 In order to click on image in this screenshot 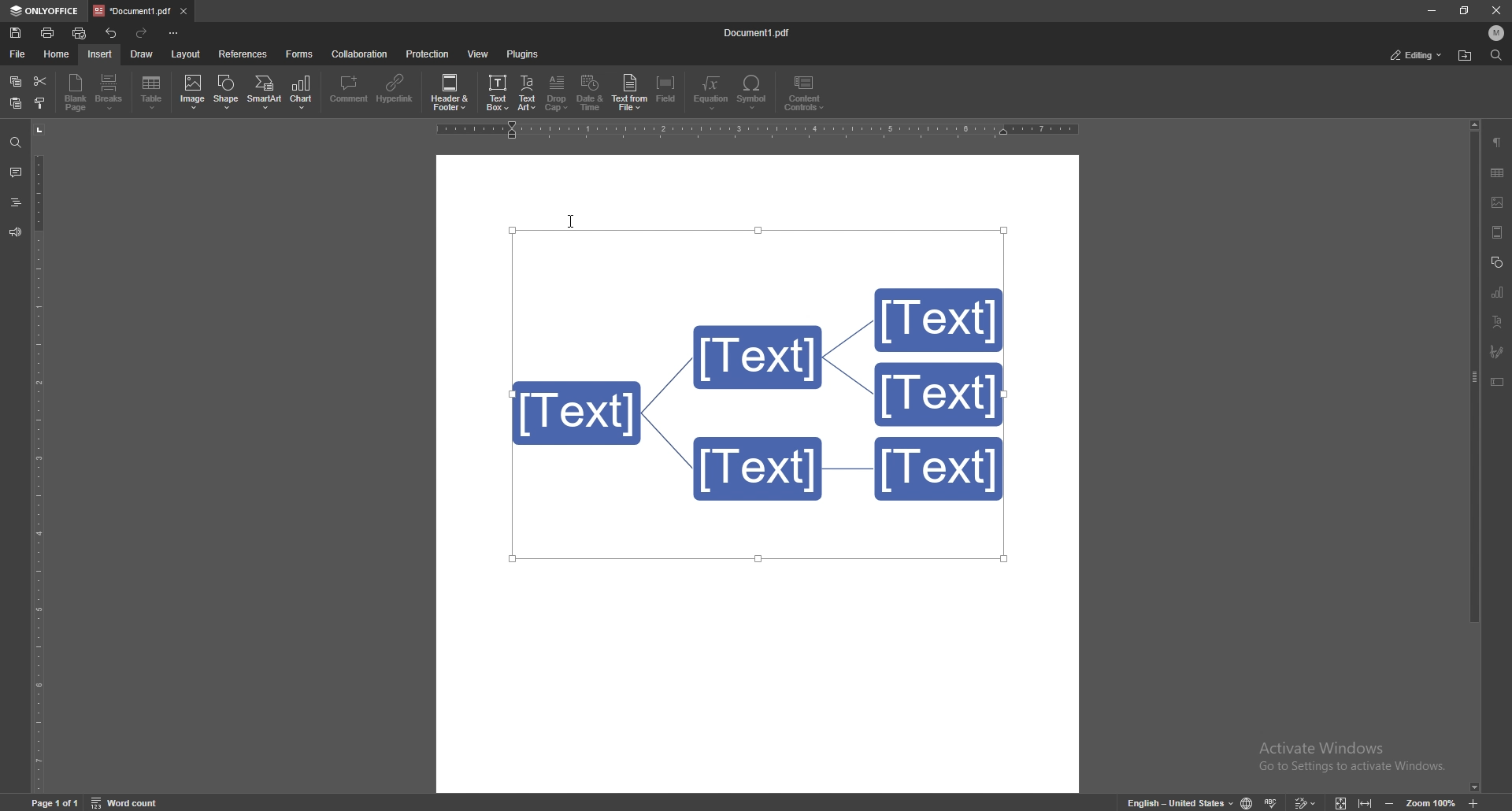, I will do `click(1497, 202)`.